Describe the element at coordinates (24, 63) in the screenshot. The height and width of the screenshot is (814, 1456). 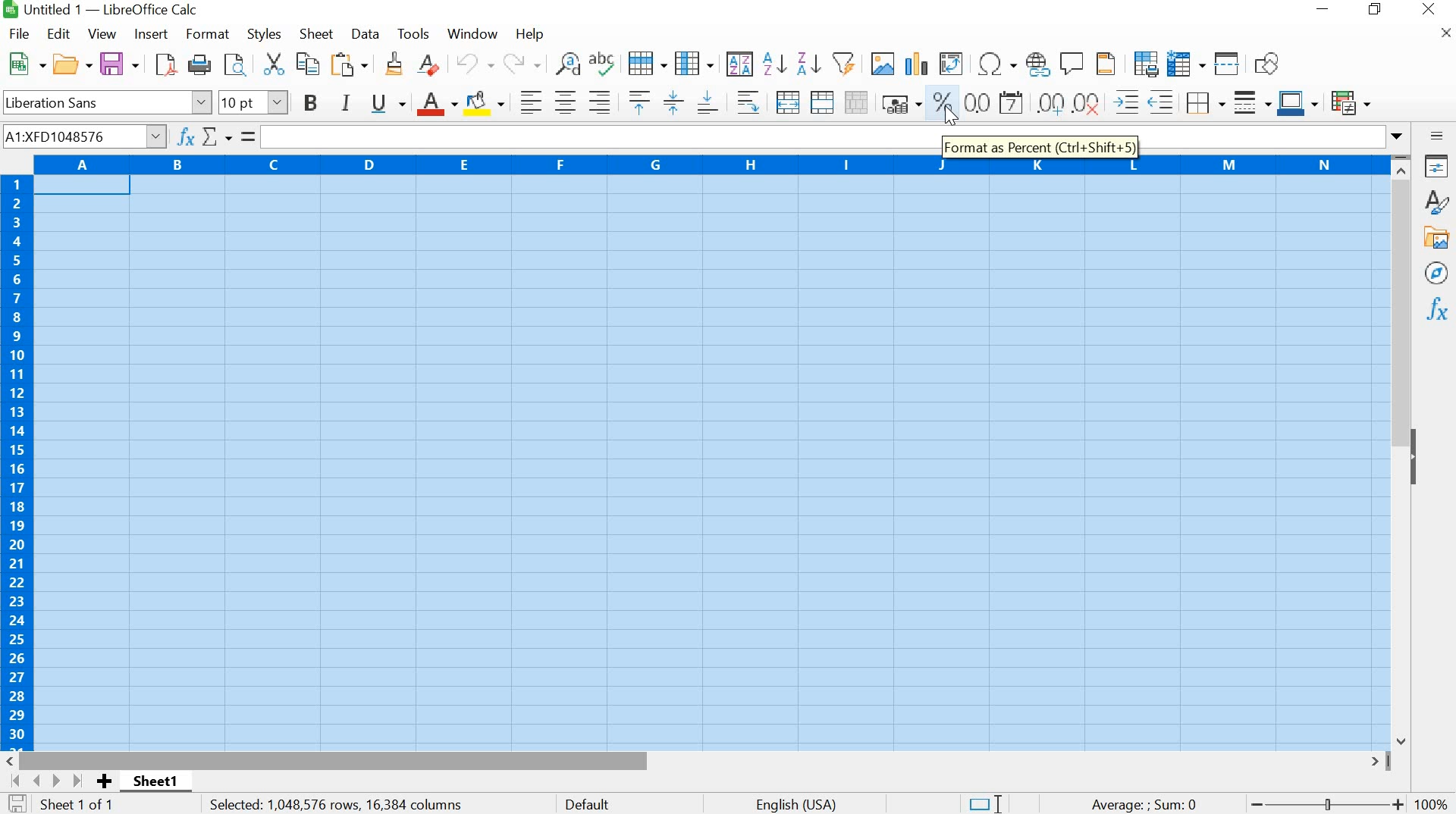
I see `NEW` at that location.